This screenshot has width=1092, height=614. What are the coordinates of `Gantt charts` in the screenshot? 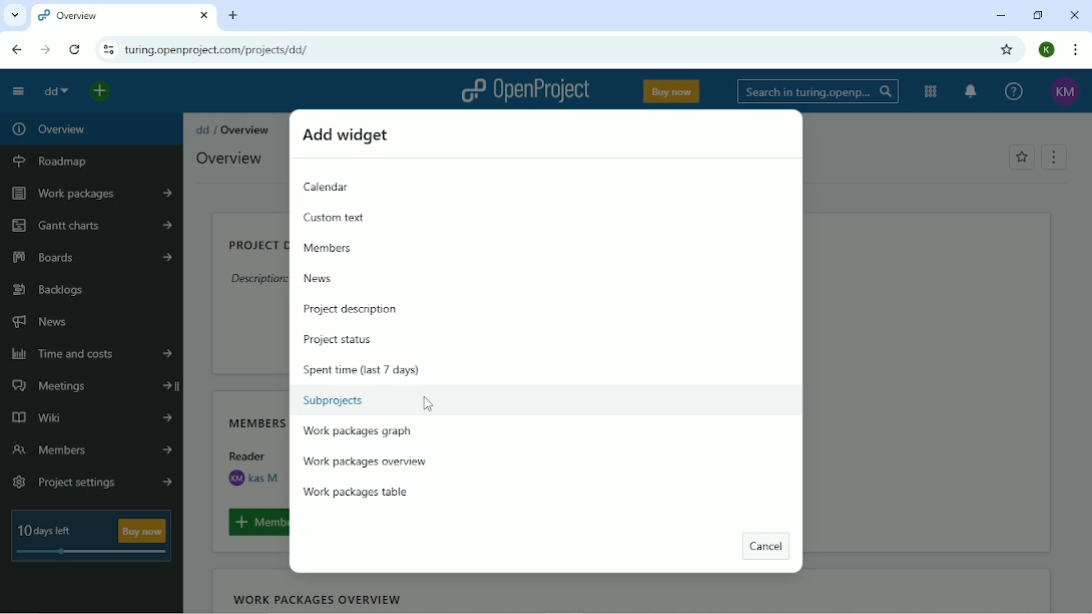 It's located at (93, 227).